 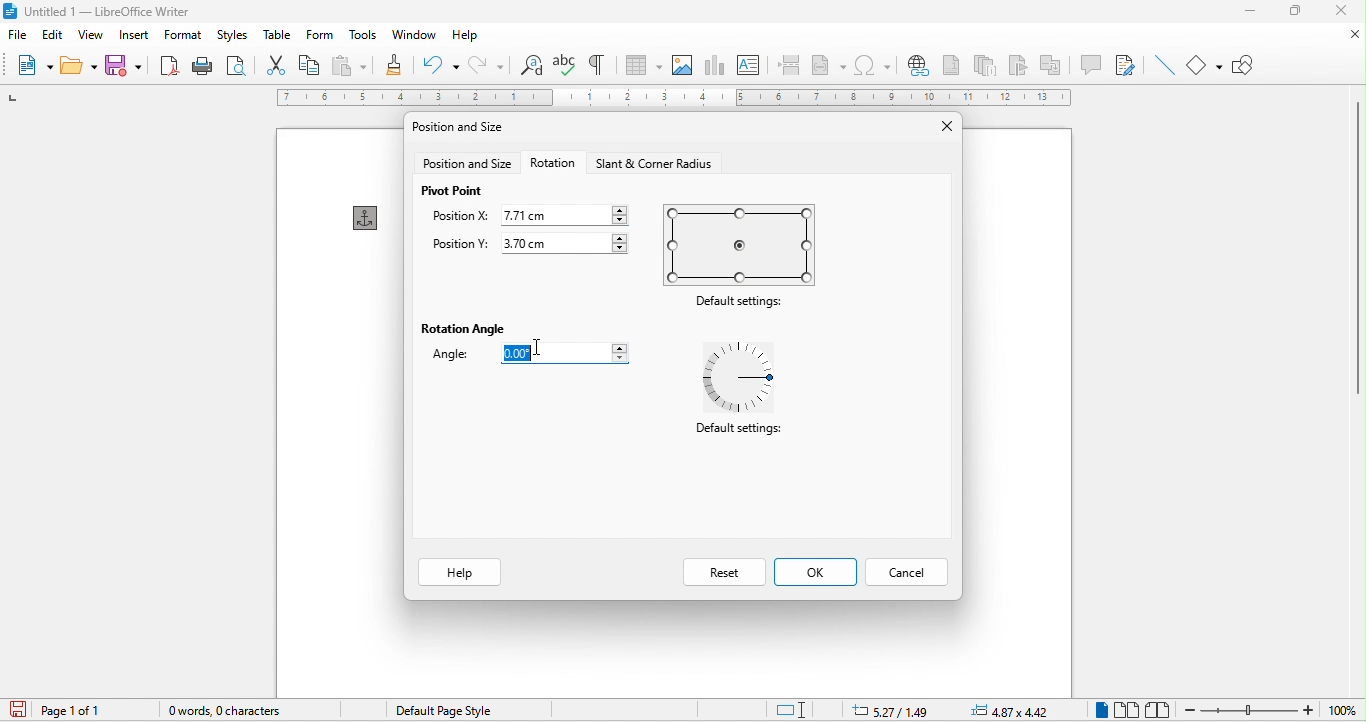 What do you see at coordinates (360, 36) in the screenshot?
I see `tools` at bounding box center [360, 36].